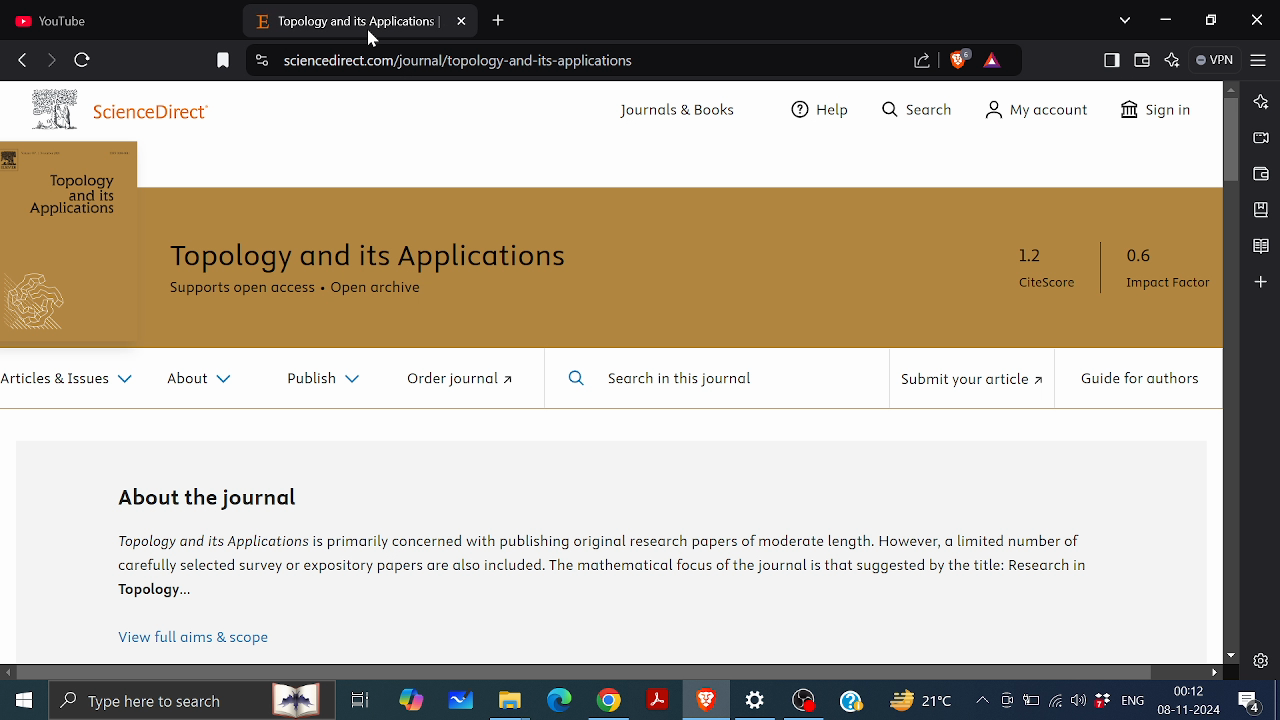 The width and height of the screenshot is (1280, 720). Describe the element at coordinates (1127, 20) in the screenshot. I see `Search tabs` at that location.